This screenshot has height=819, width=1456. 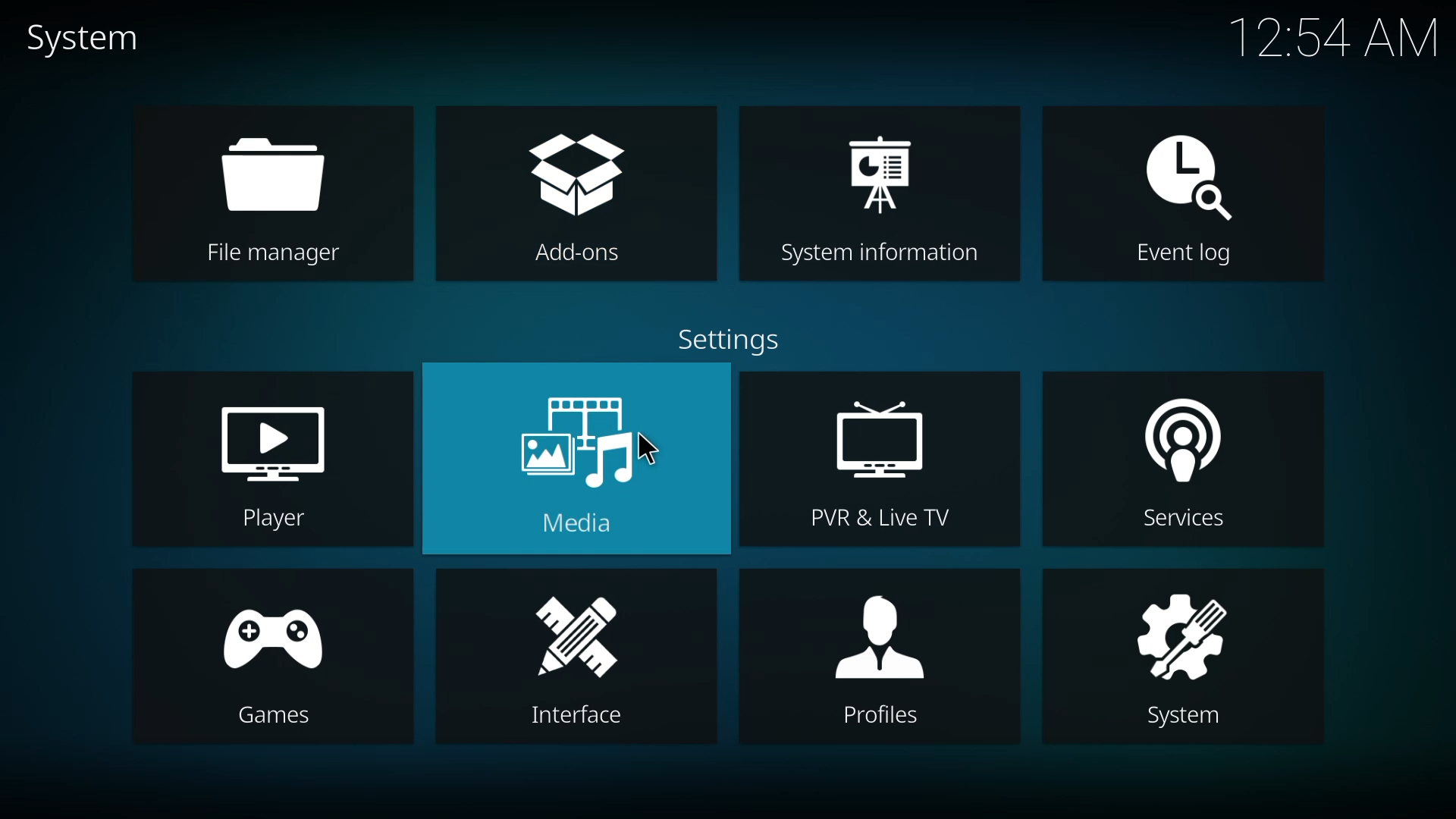 I want to click on time, so click(x=1335, y=35).